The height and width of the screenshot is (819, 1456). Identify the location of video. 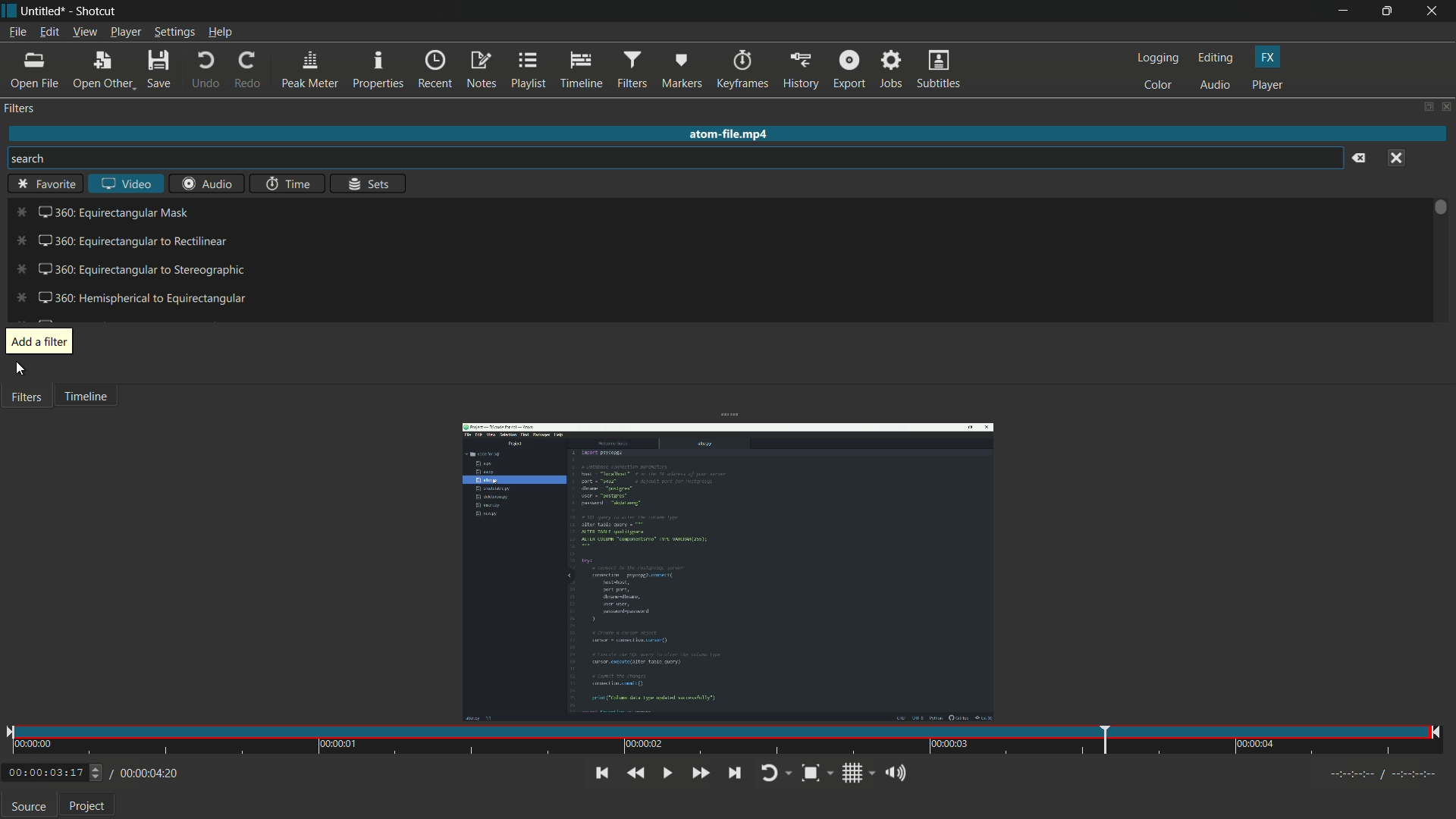
(127, 184).